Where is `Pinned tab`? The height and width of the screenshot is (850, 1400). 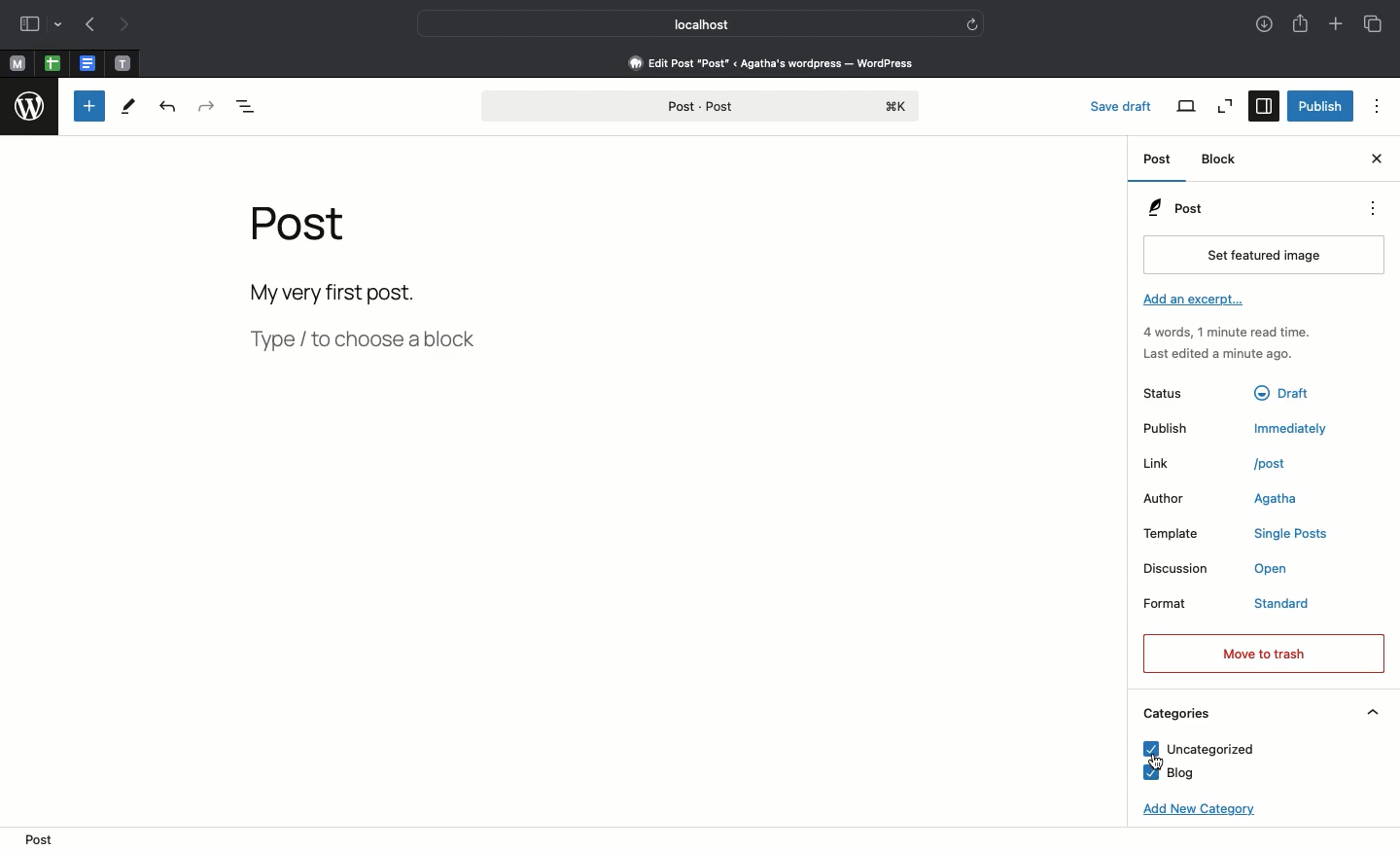 Pinned tab is located at coordinates (122, 62).